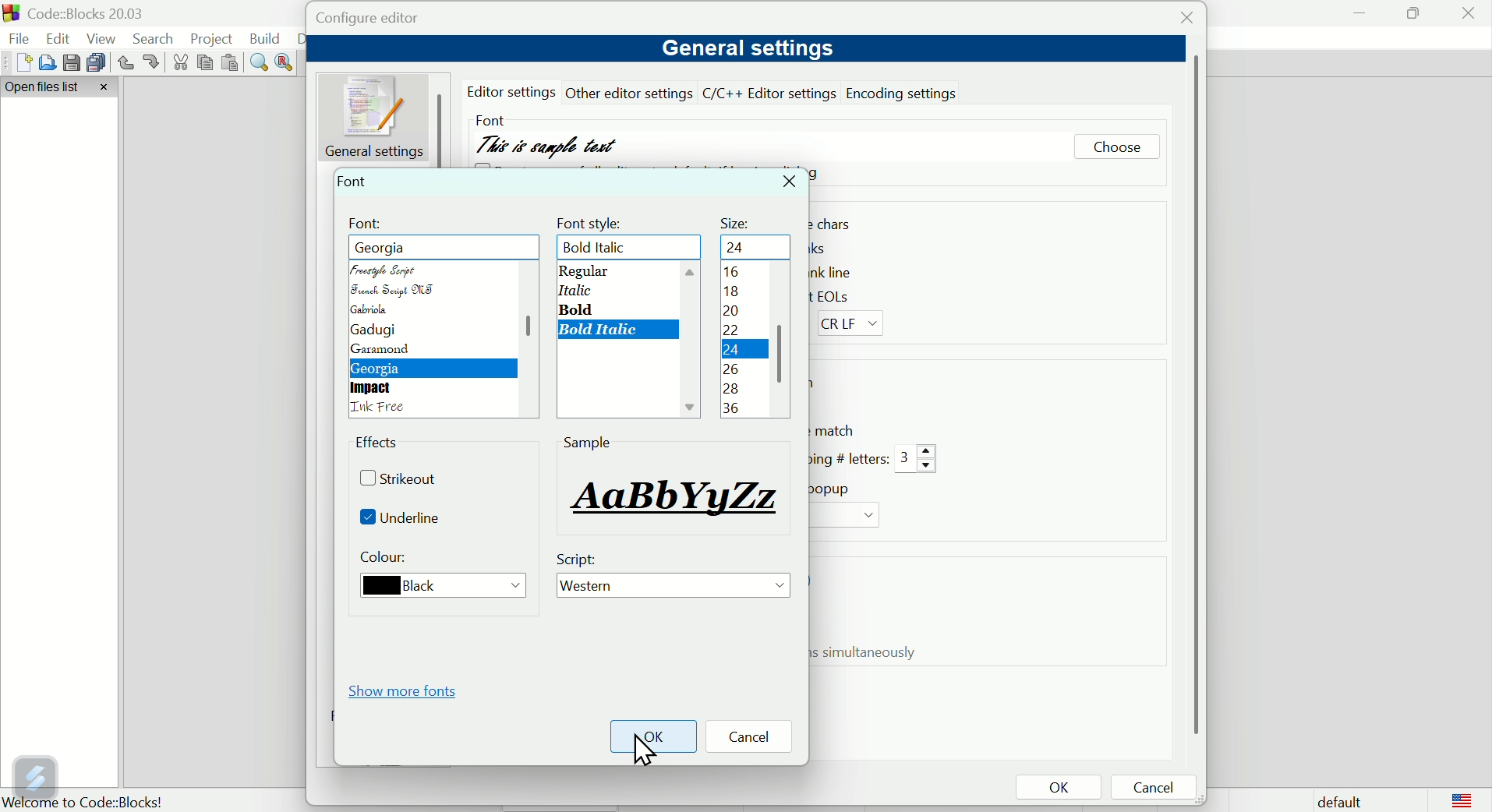 The width and height of the screenshot is (1492, 812). Describe the element at coordinates (673, 496) in the screenshot. I see `sample` at that location.